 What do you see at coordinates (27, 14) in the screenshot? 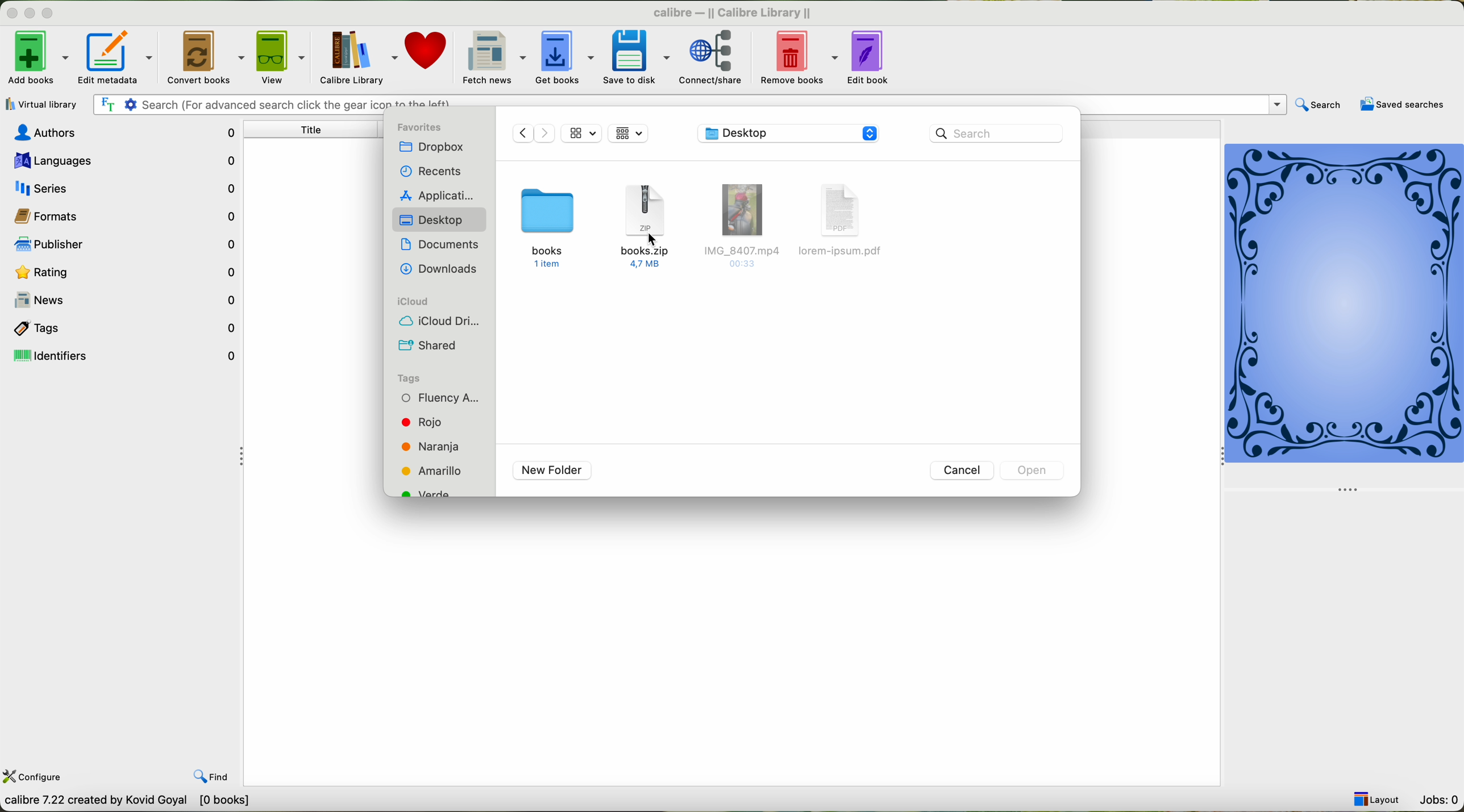
I see `minimize` at bounding box center [27, 14].